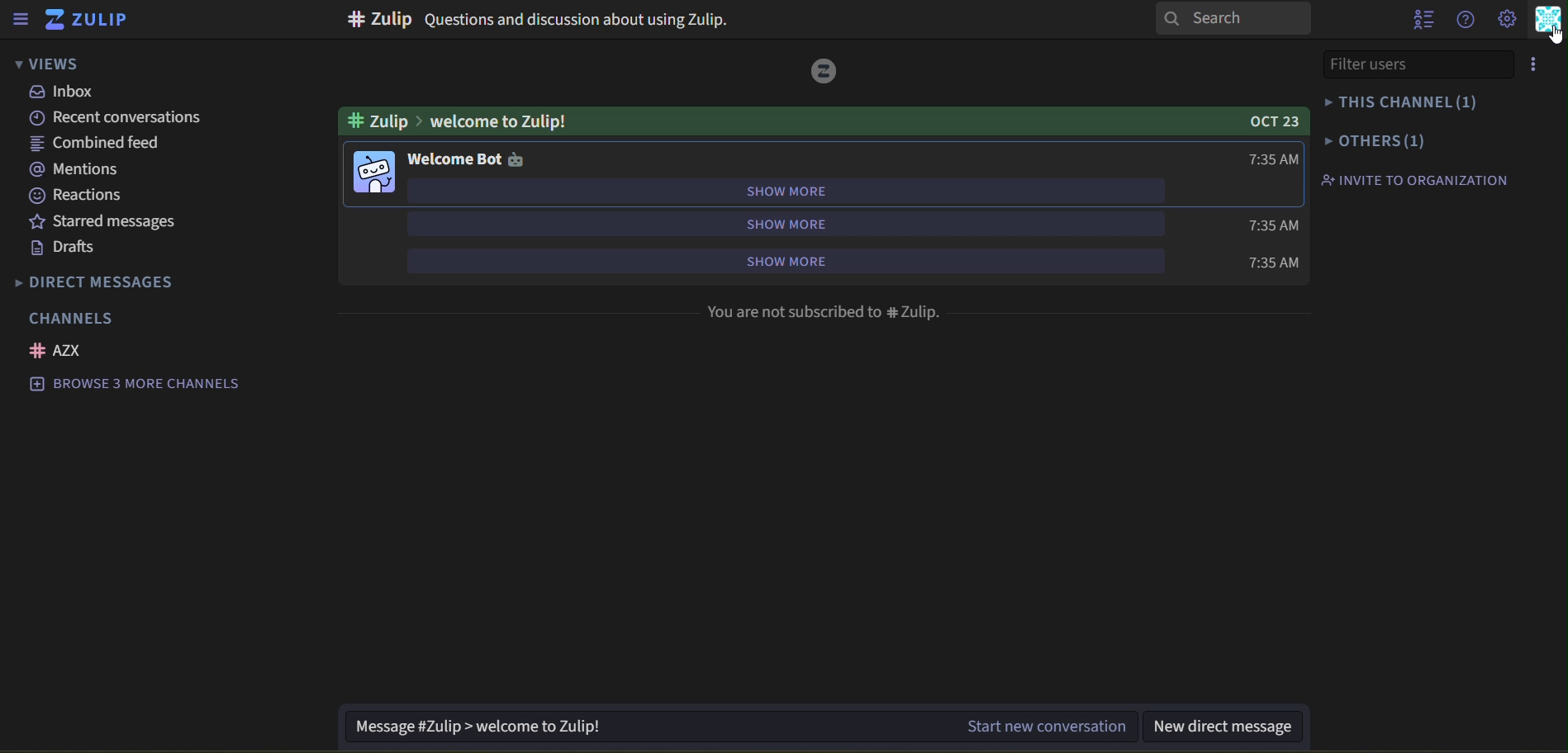 The height and width of the screenshot is (753, 1568). What do you see at coordinates (80, 318) in the screenshot?
I see `channels` at bounding box center [80, 318].